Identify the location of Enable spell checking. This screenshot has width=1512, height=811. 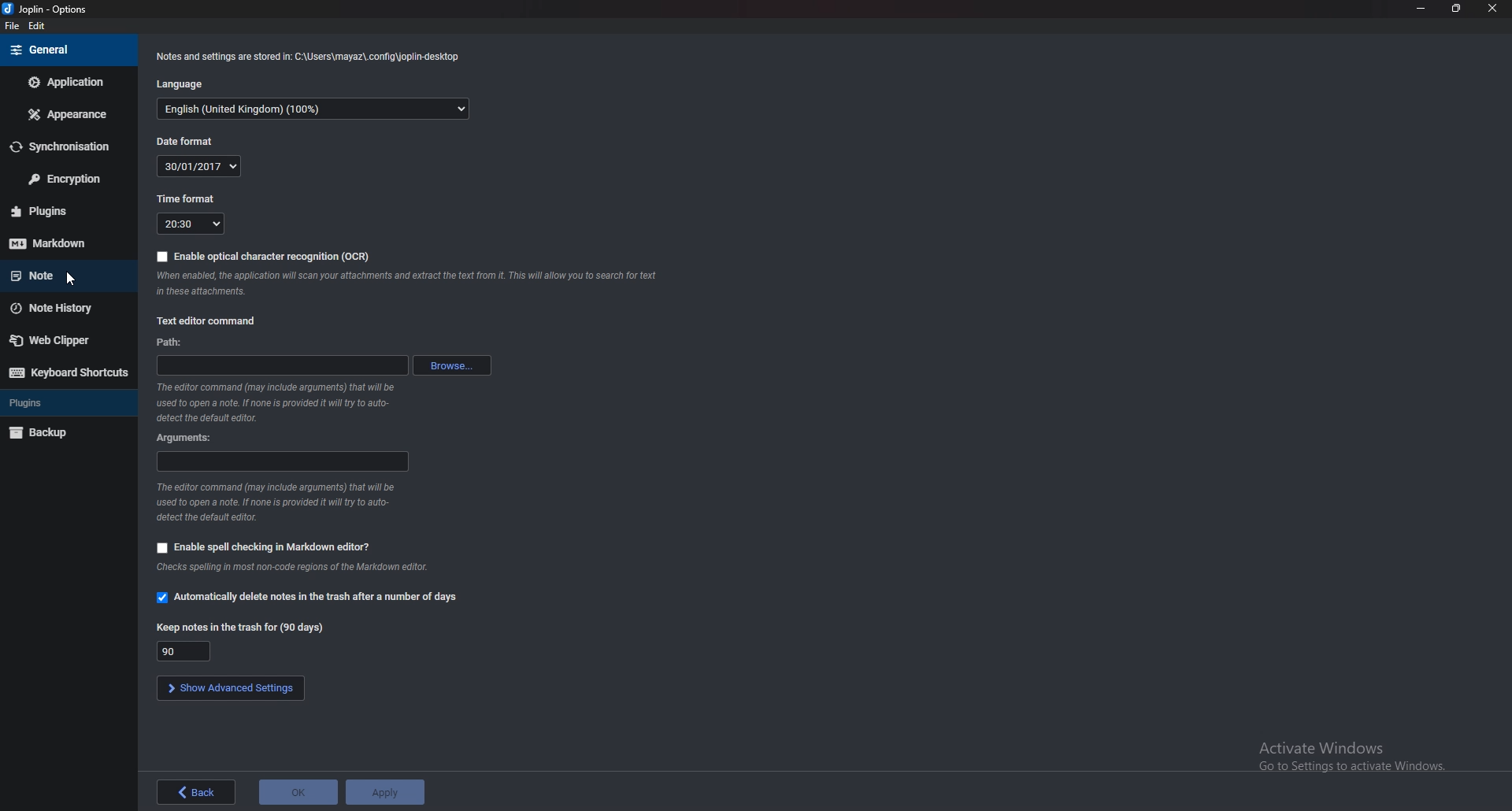
(261, 546).